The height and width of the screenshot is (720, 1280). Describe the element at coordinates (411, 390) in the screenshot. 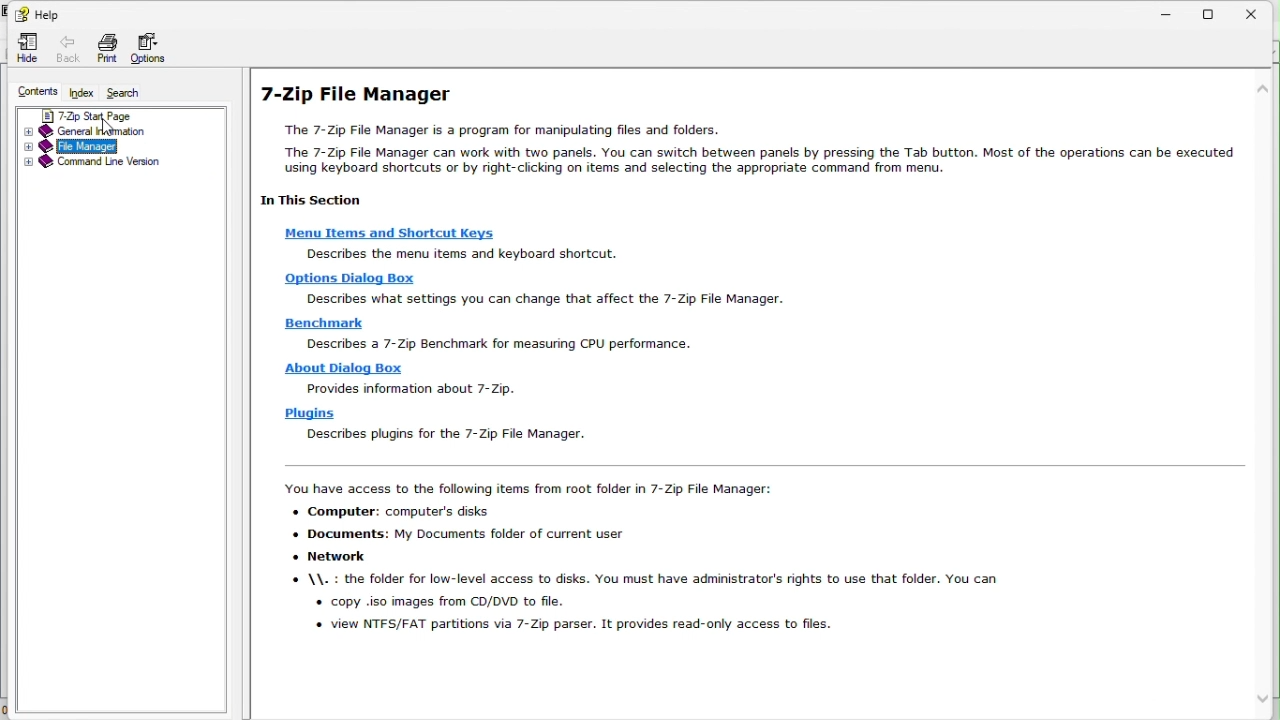

I see `describe about dialog box` at that location.